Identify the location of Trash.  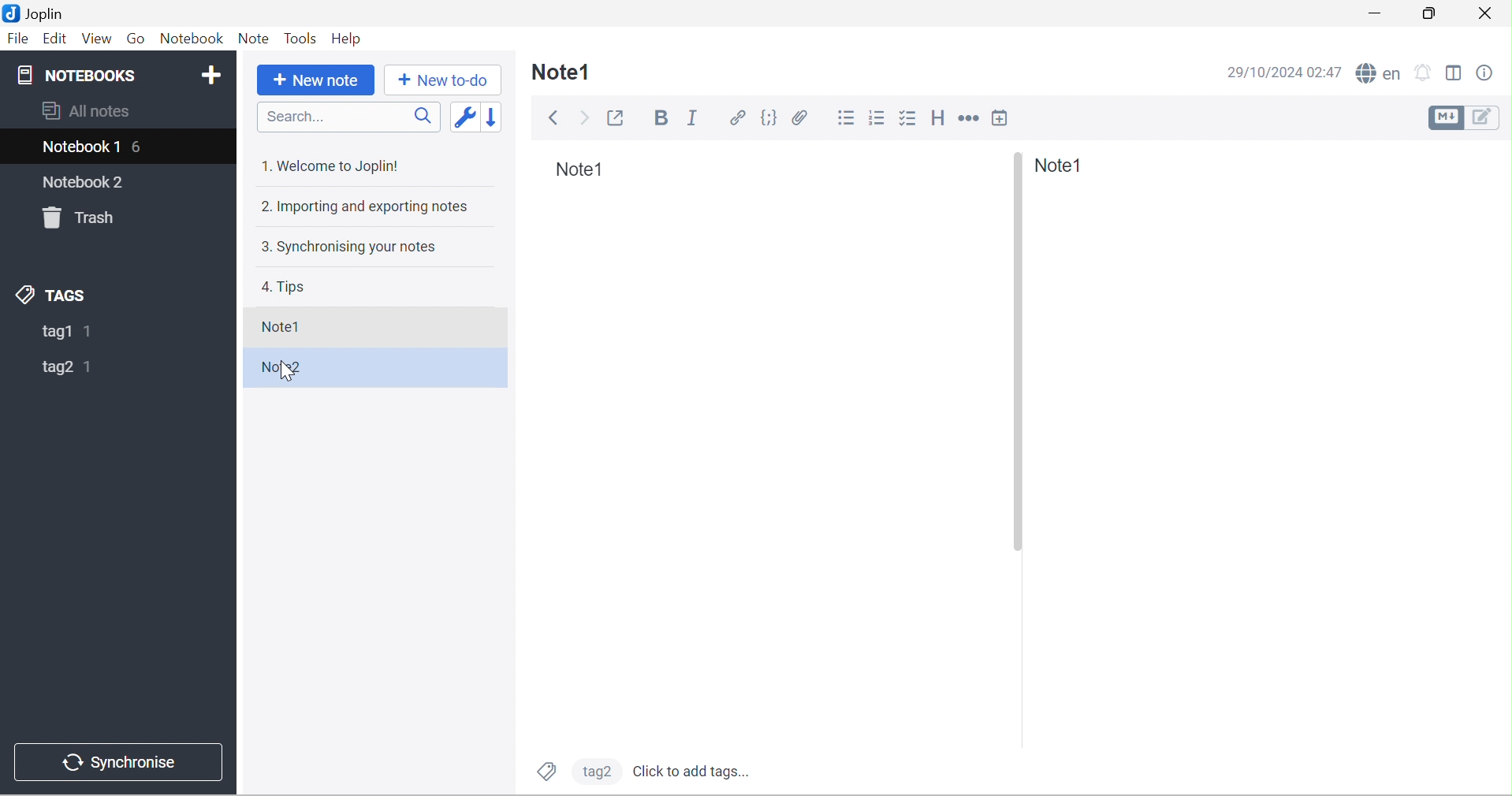
(77, 218).